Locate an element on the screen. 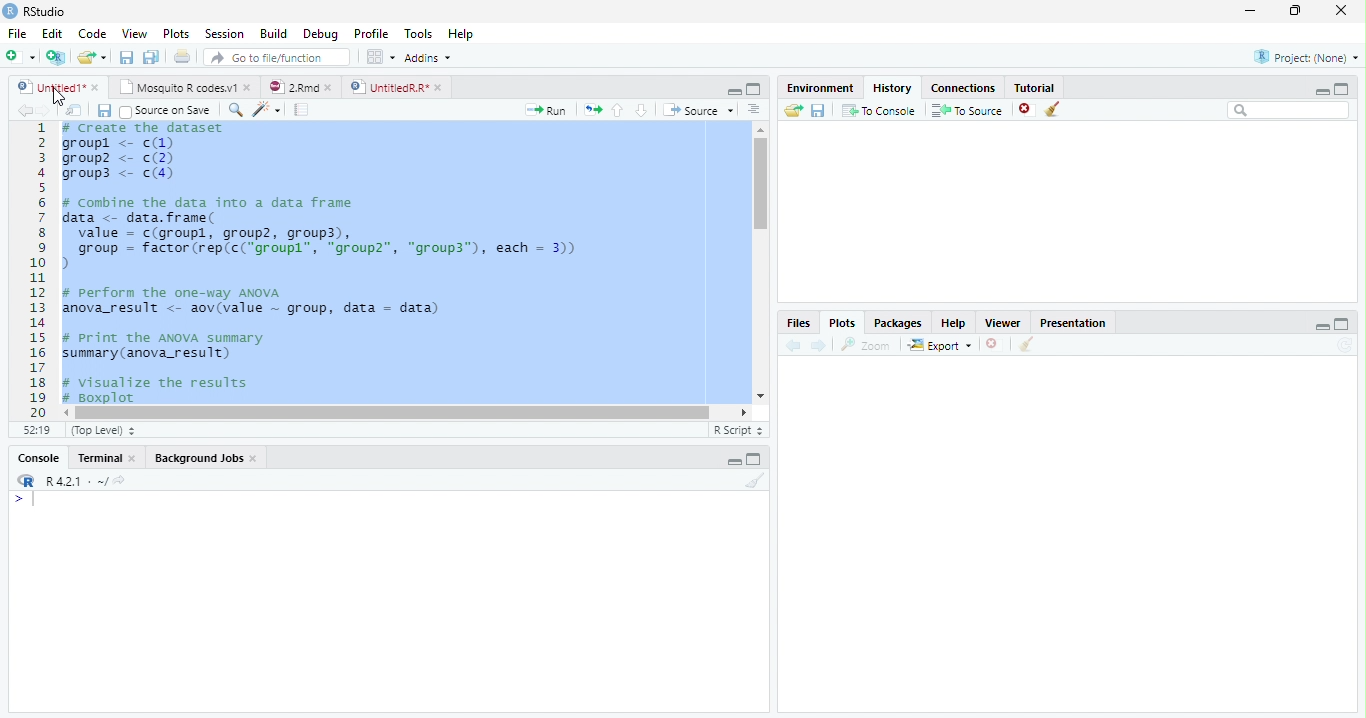  Maximize is located at coordinates (1297, 11).